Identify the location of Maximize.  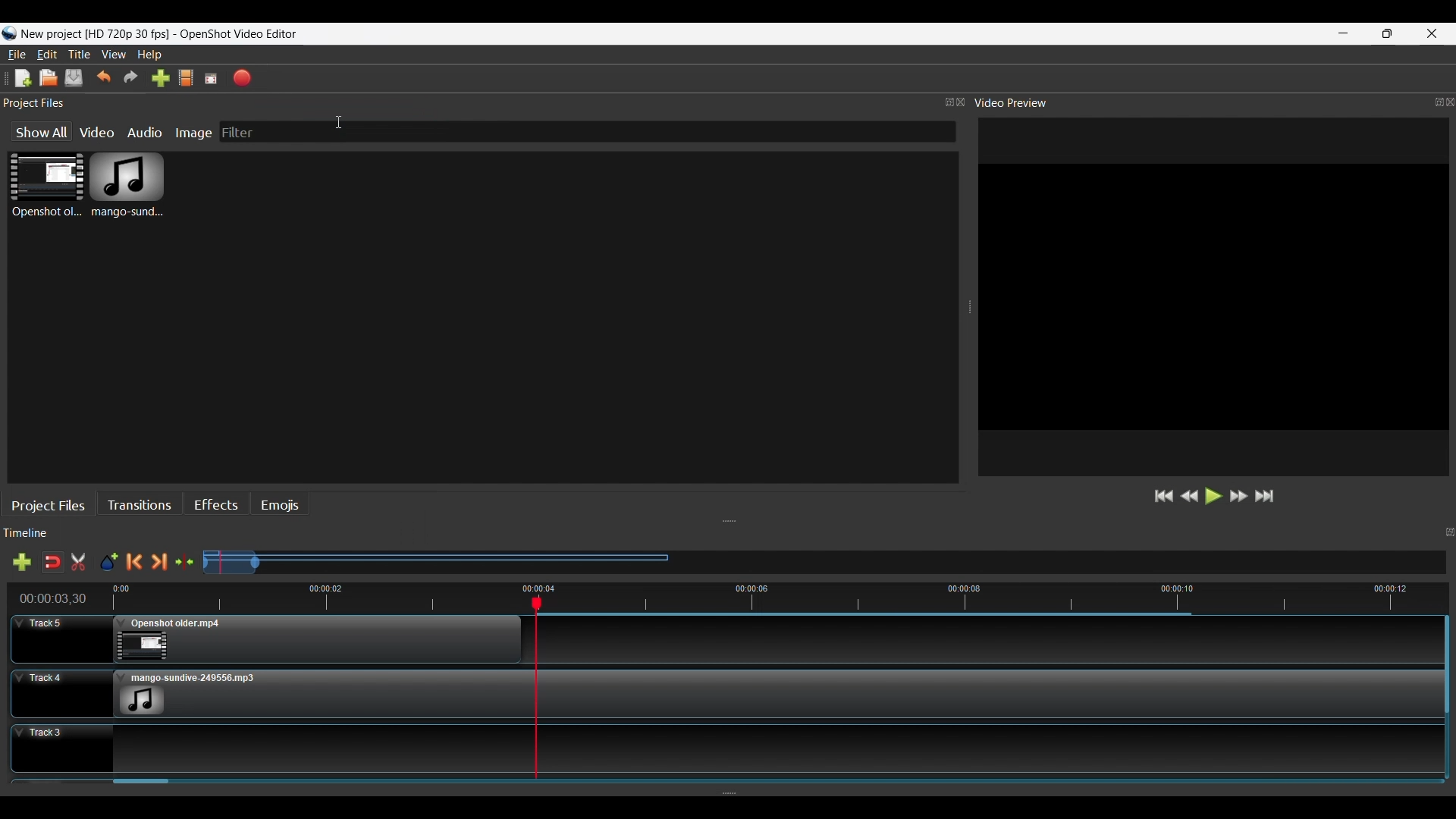
(1389, 33).